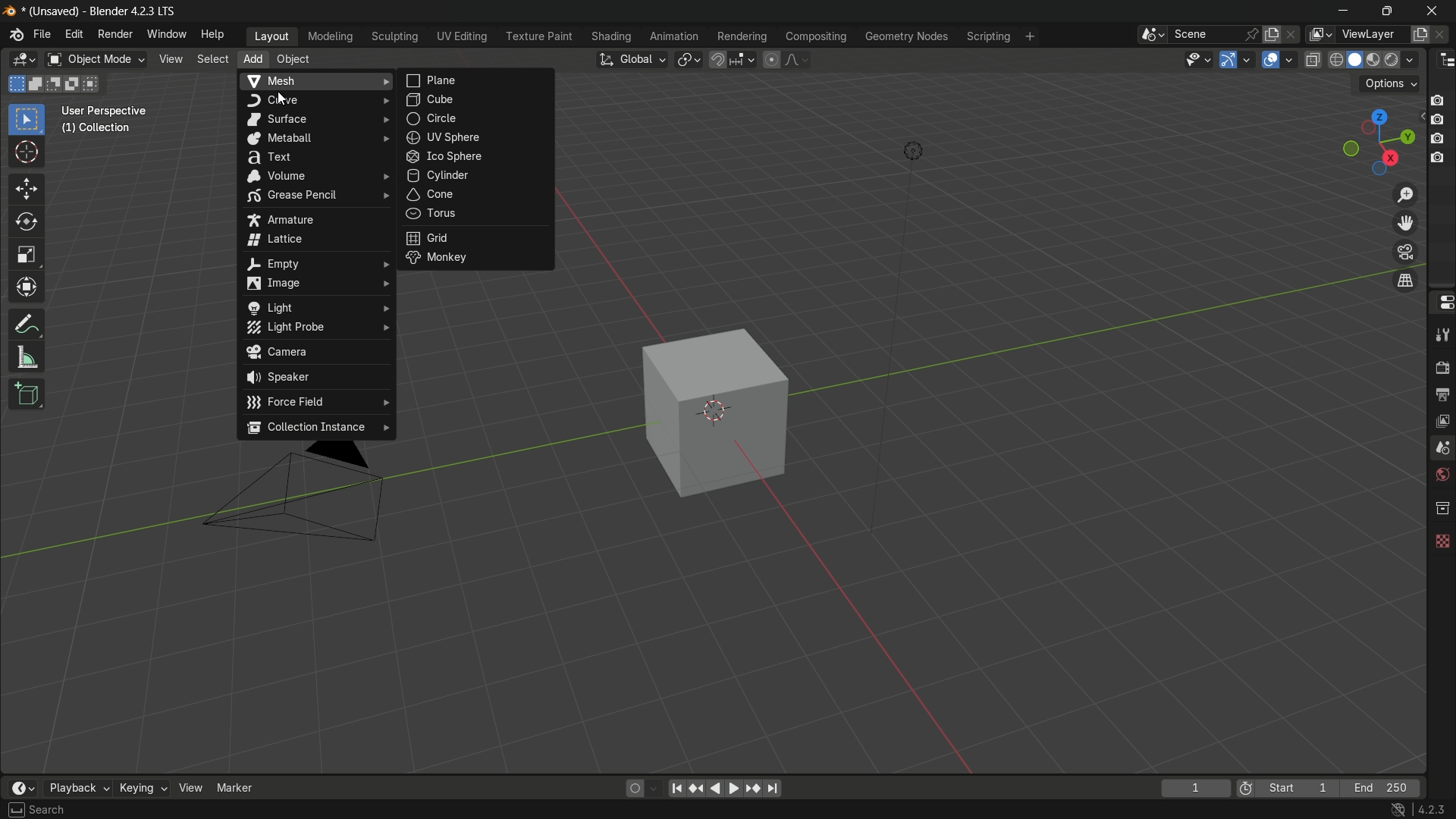 The image size is (1456, 819). Describe the element at coordinates (1376, 61) in the screenshot. I see `material preview` at that location.